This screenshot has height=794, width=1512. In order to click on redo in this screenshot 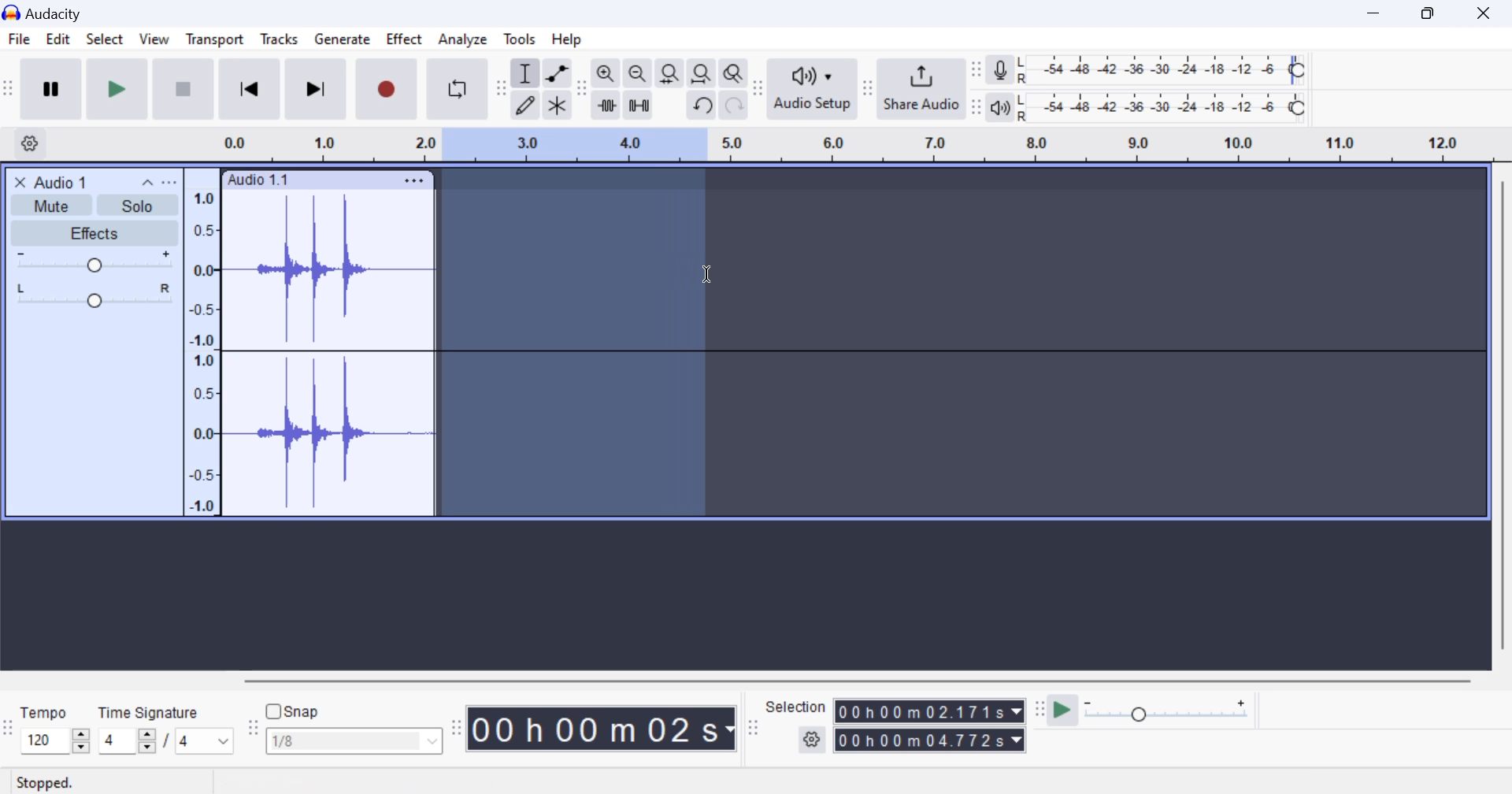, I will do `click(734, 106)`.